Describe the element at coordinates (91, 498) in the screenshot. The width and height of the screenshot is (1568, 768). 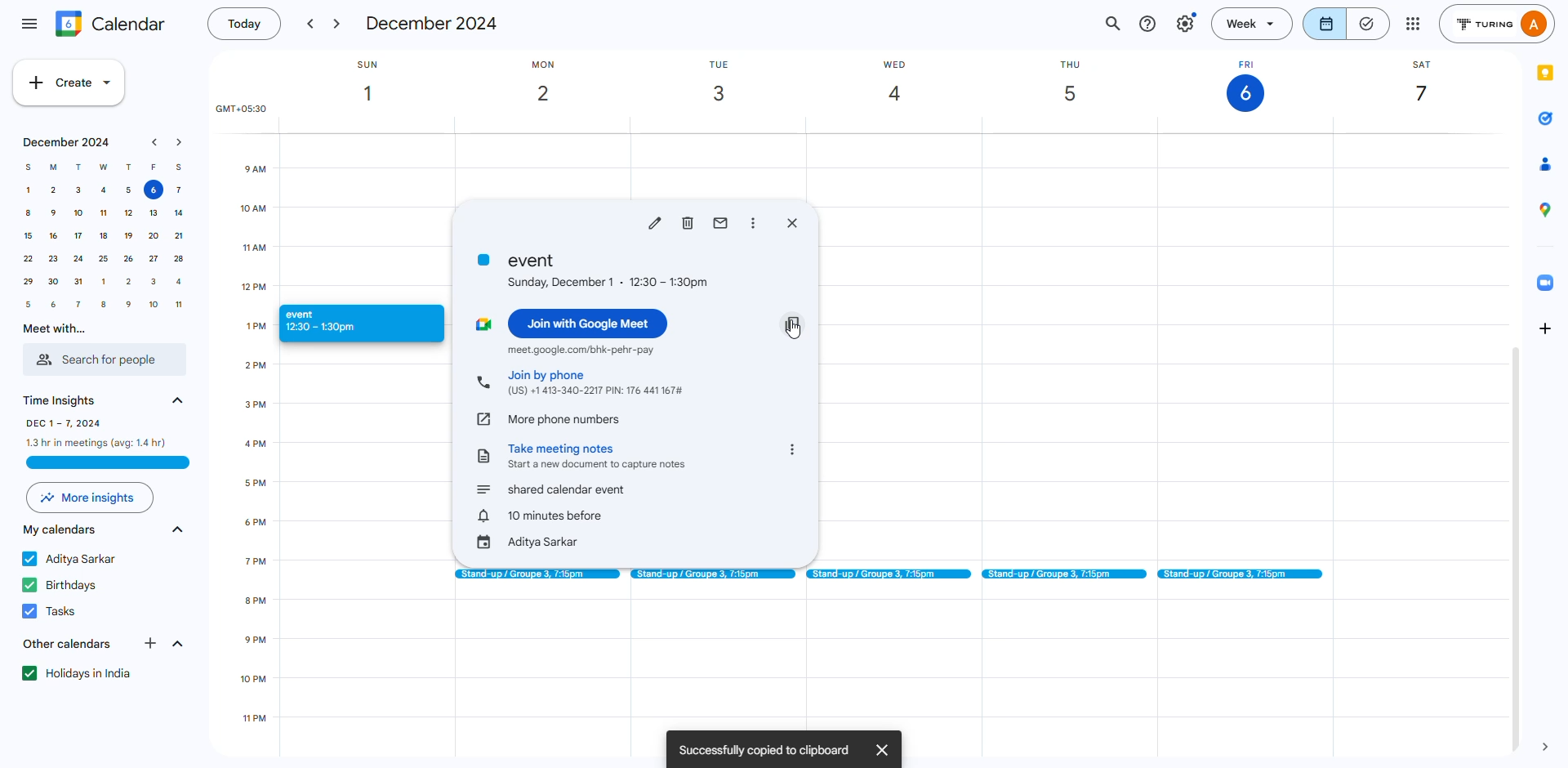
I see `more` at that location.